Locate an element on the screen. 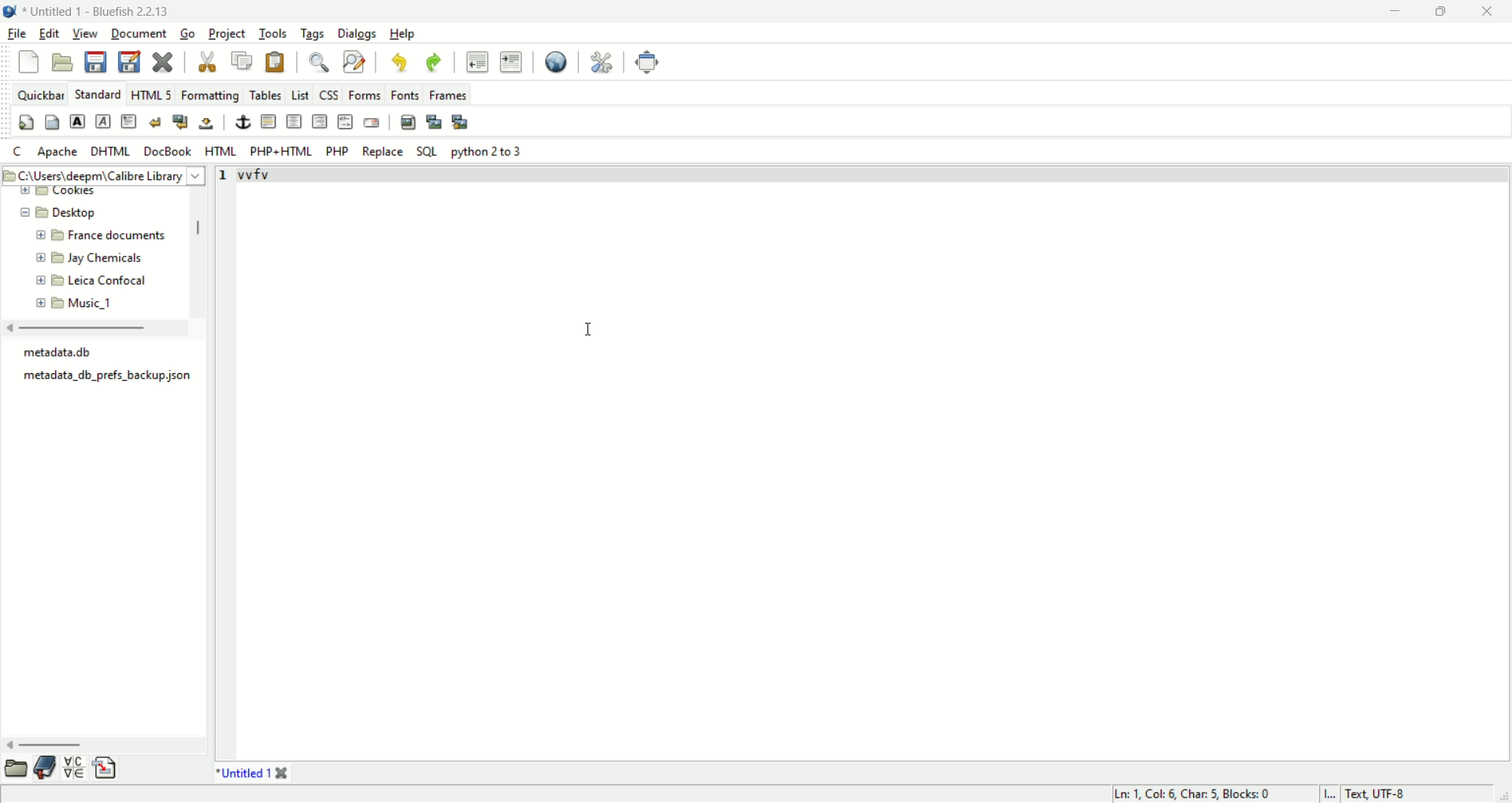 Image resolution: width=1512 pixels, height=803 pixels. Desktop is located at coordinates (83, 213).